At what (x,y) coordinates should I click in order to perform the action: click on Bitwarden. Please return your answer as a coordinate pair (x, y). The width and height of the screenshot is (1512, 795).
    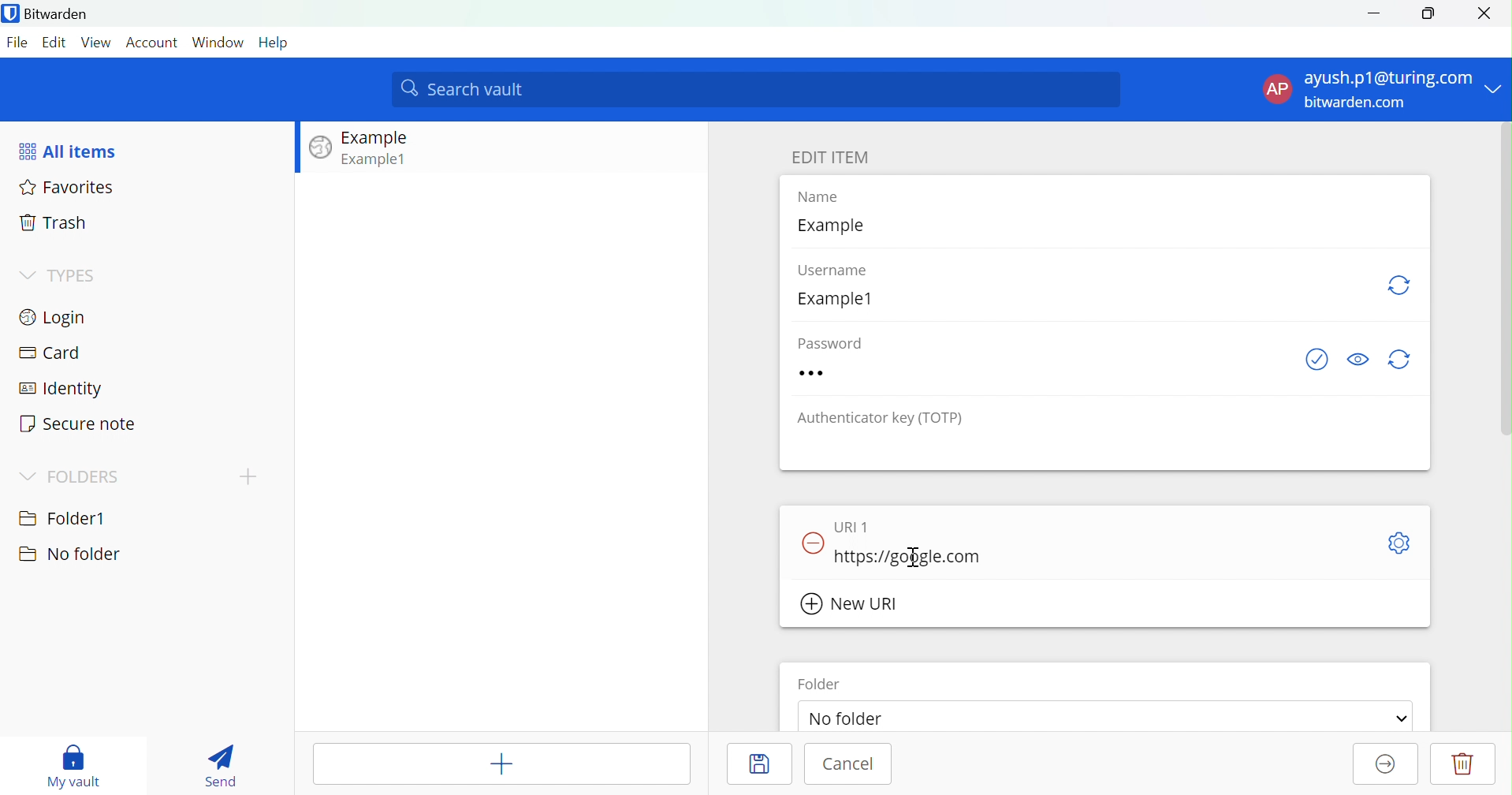
    Looking at the image, I should click on (50, 15).